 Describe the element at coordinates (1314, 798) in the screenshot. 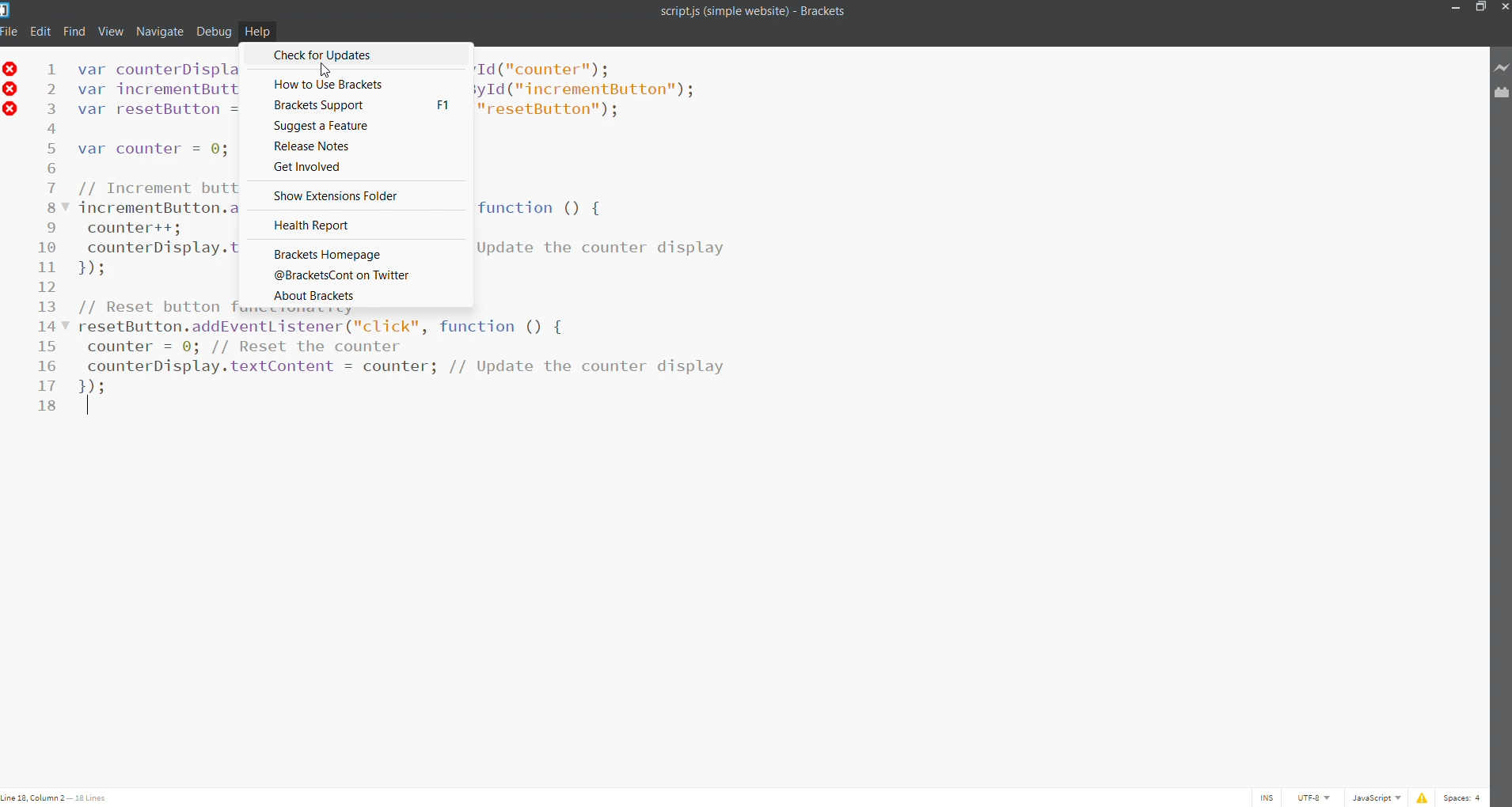

I see `encoding` at that location.